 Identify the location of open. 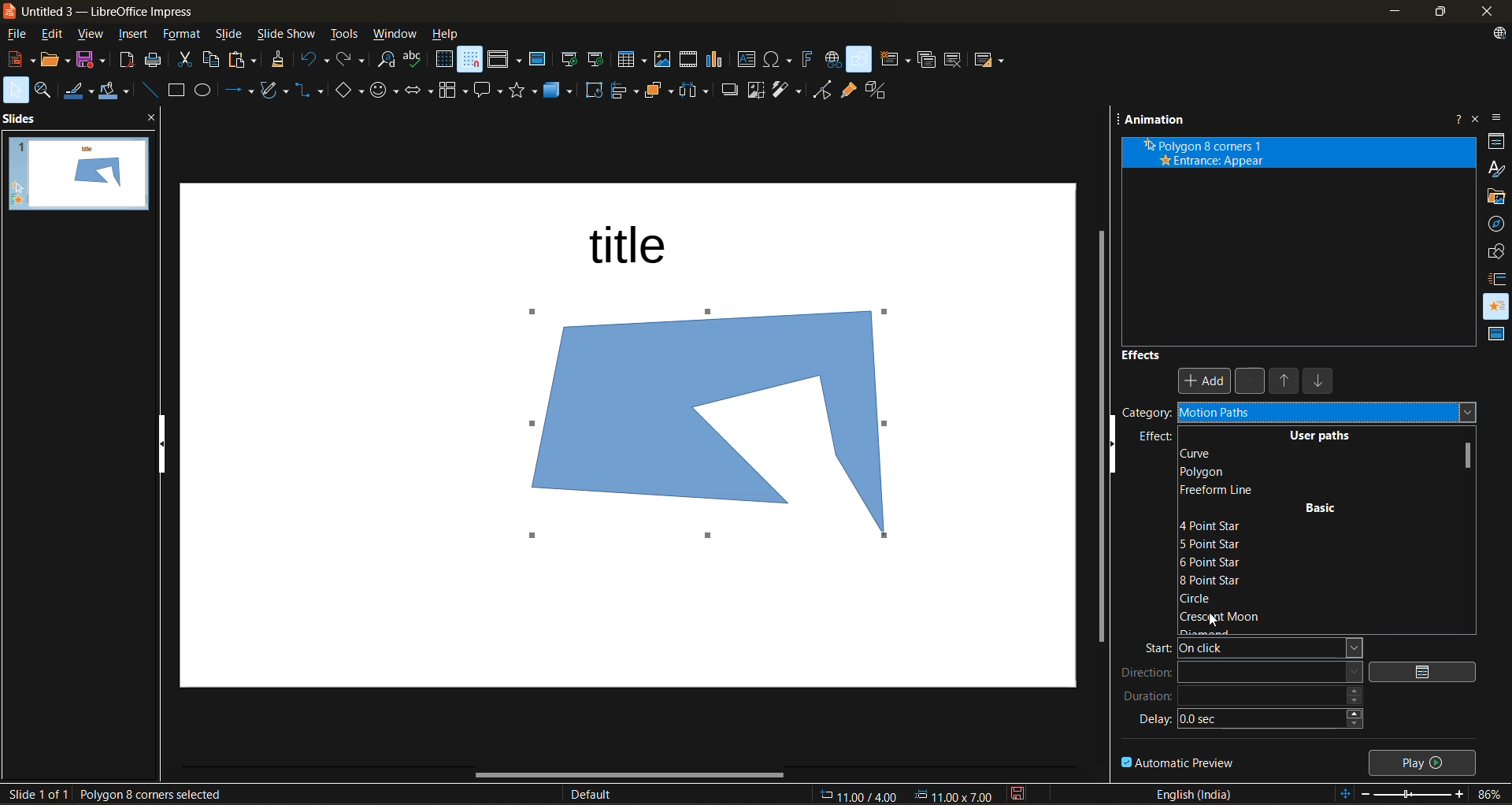
(52, 59).